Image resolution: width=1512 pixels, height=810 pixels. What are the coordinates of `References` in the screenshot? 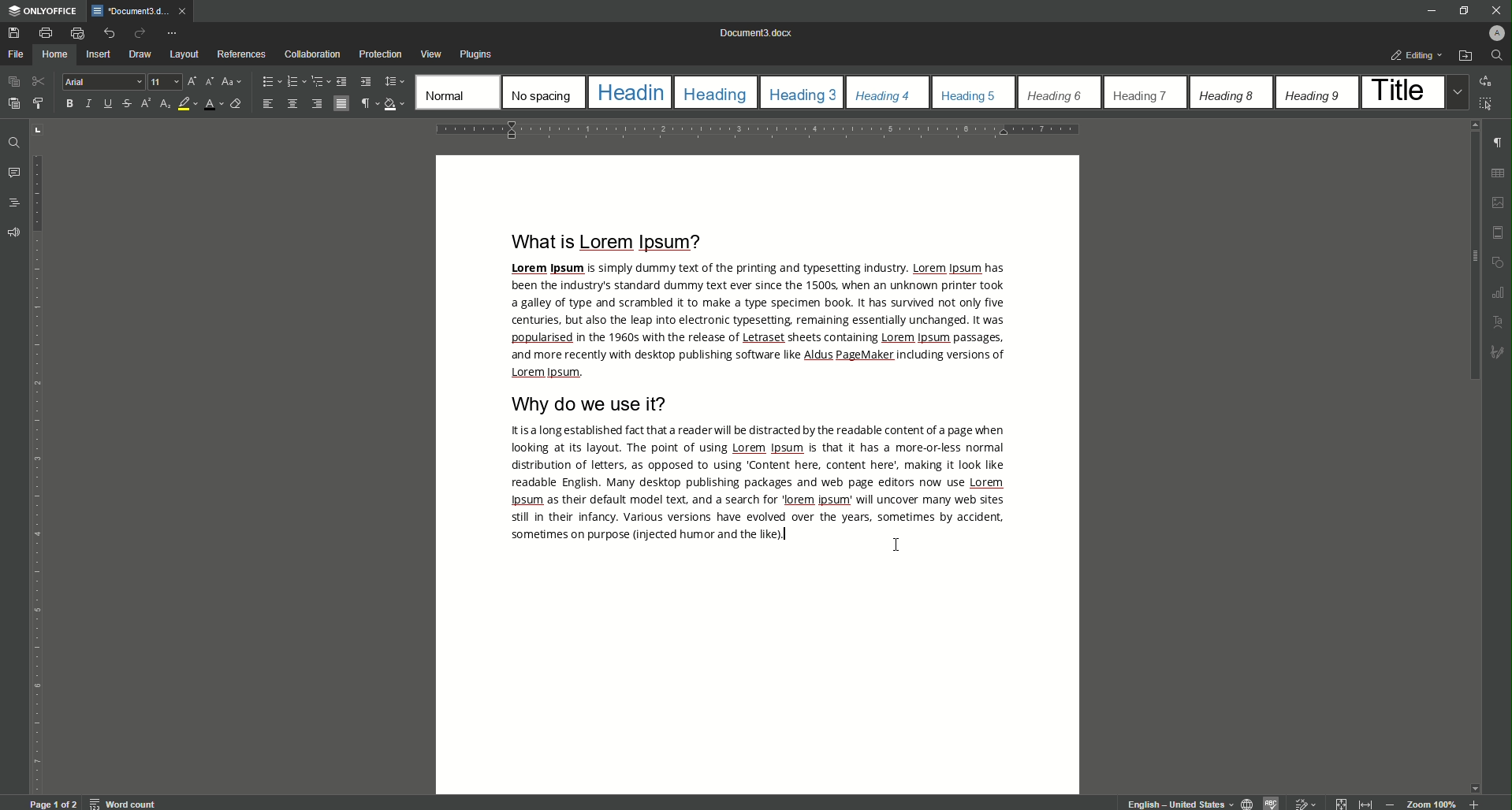 It's located at (240, 55).